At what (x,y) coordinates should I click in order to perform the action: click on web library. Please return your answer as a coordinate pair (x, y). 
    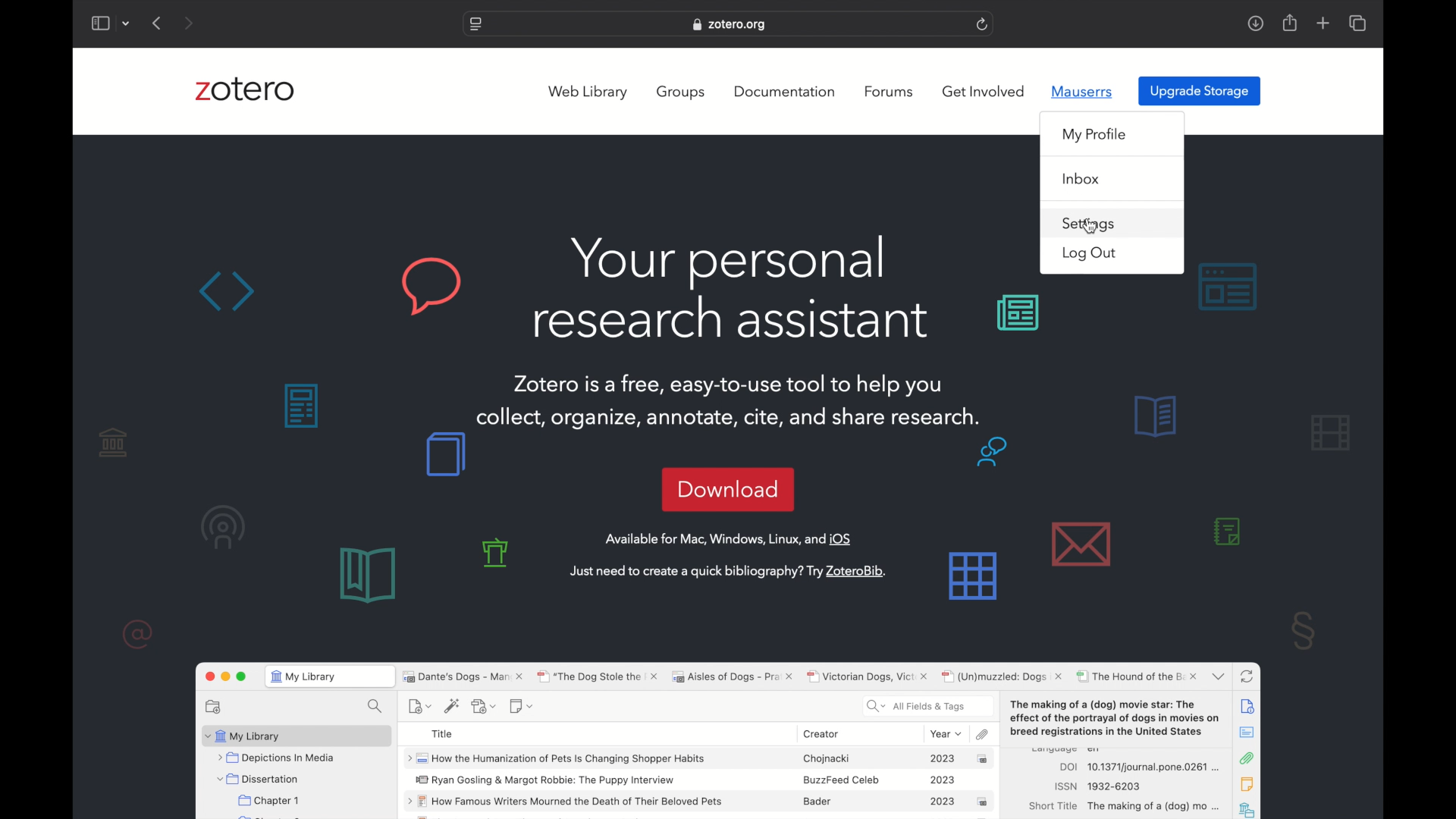
    Looking at the image, I should click on (588, 93).